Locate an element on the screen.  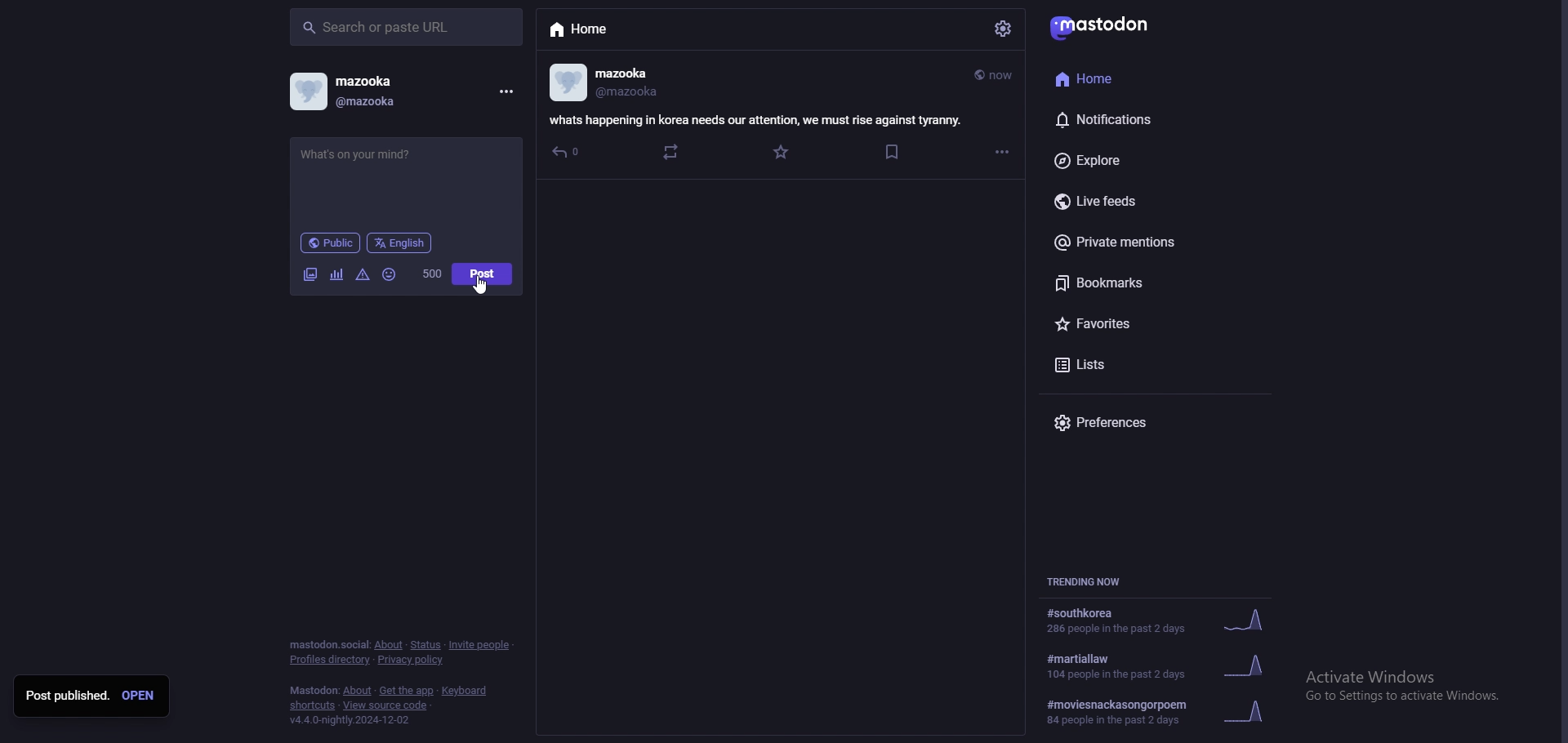
favourites is located at coordinates (1147, 327).